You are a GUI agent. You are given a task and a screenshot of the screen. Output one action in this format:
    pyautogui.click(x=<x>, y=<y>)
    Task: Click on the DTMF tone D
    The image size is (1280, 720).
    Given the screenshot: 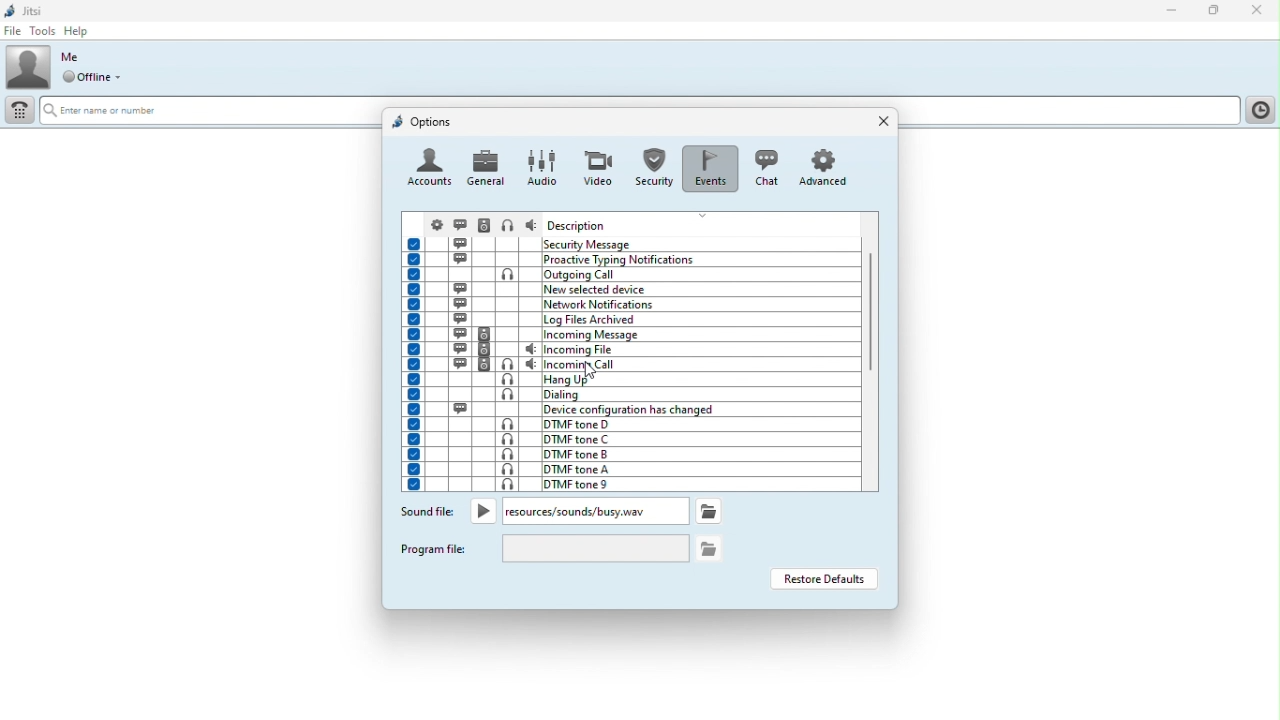 What is the action you would take?
    pyautogui.click(x=1475, y=840)
    